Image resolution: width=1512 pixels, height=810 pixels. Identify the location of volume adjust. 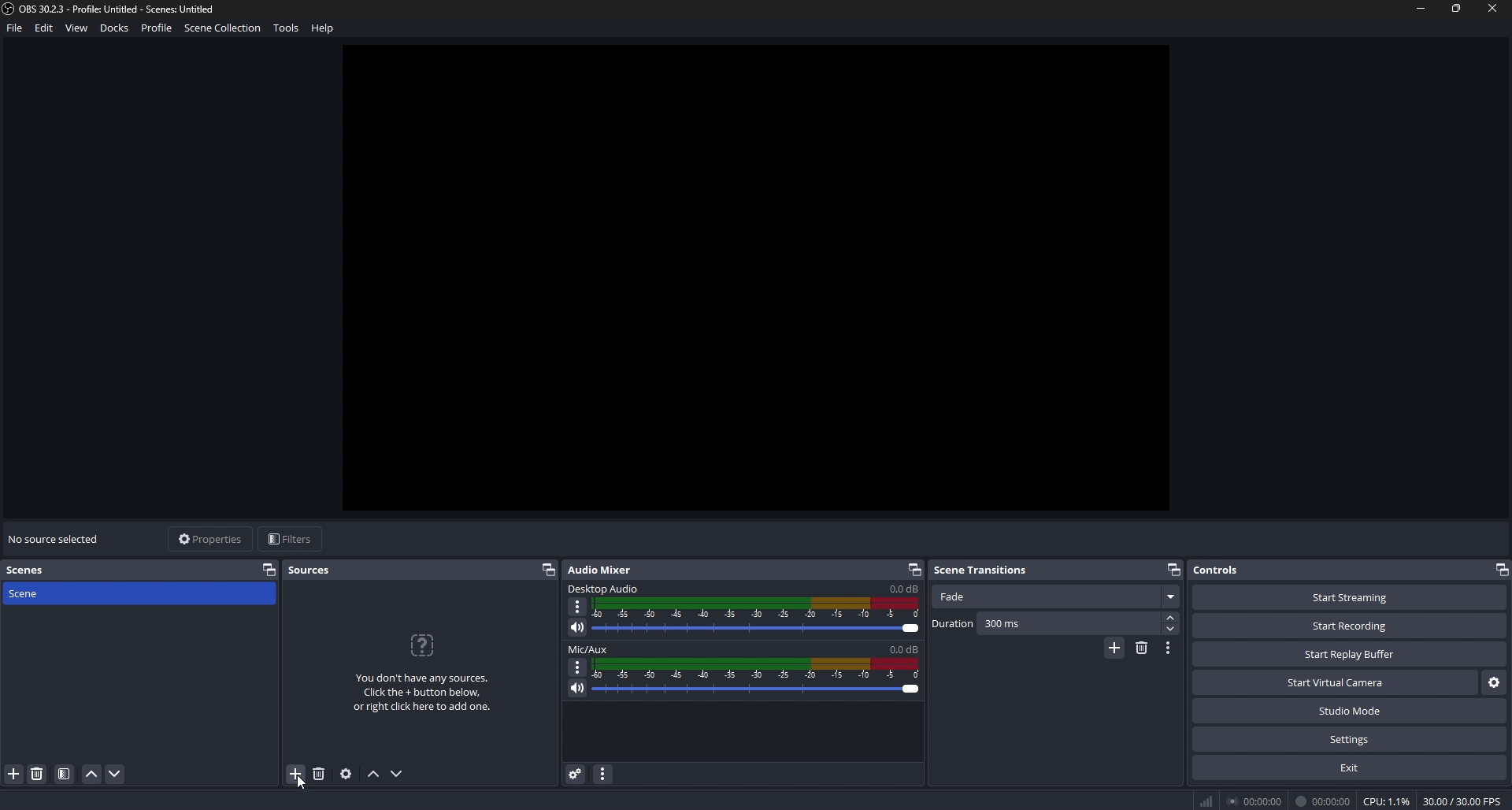
(759, 614).